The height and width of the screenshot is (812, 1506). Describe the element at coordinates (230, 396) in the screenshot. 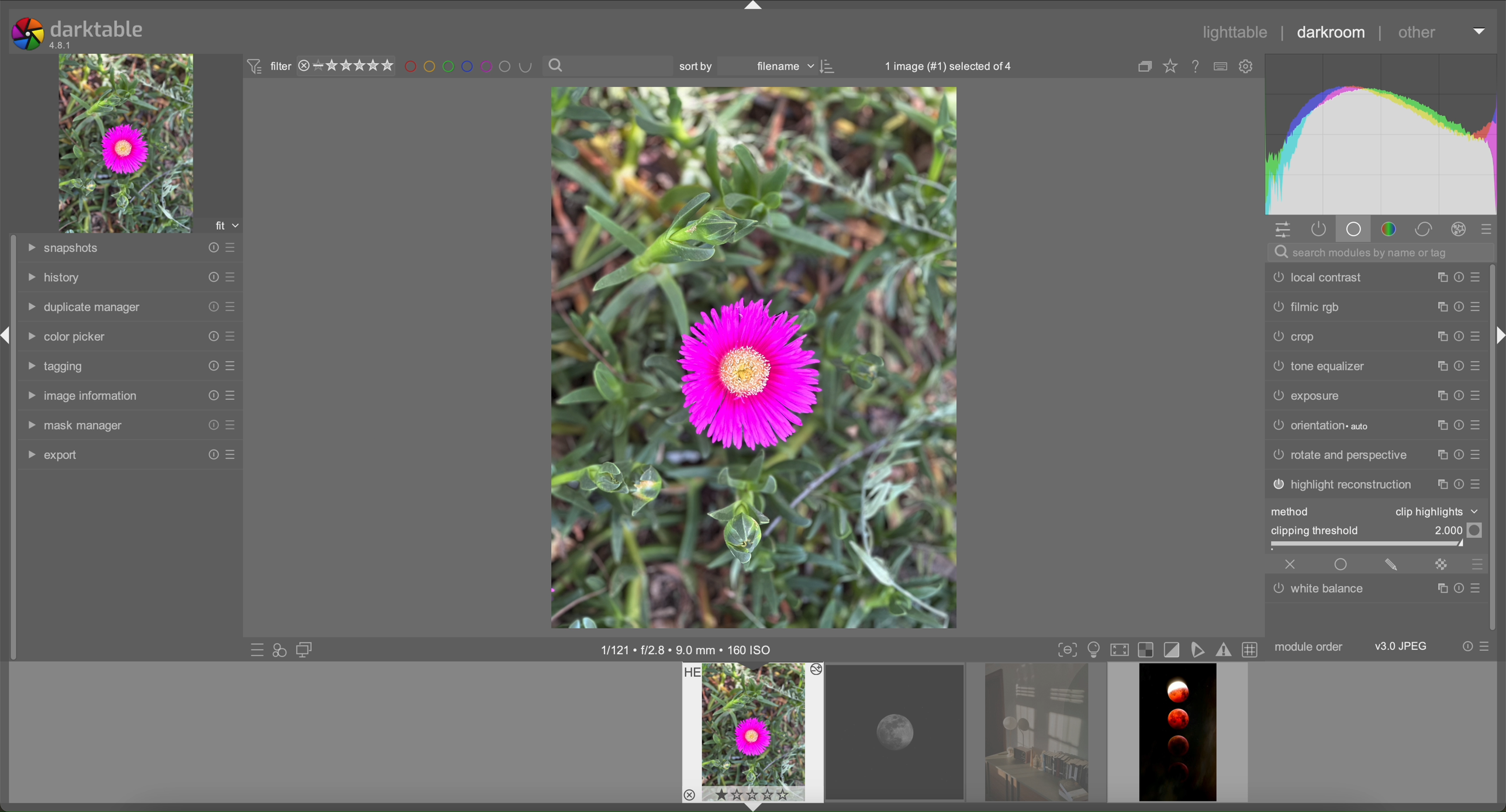

I see `presets` at that location.